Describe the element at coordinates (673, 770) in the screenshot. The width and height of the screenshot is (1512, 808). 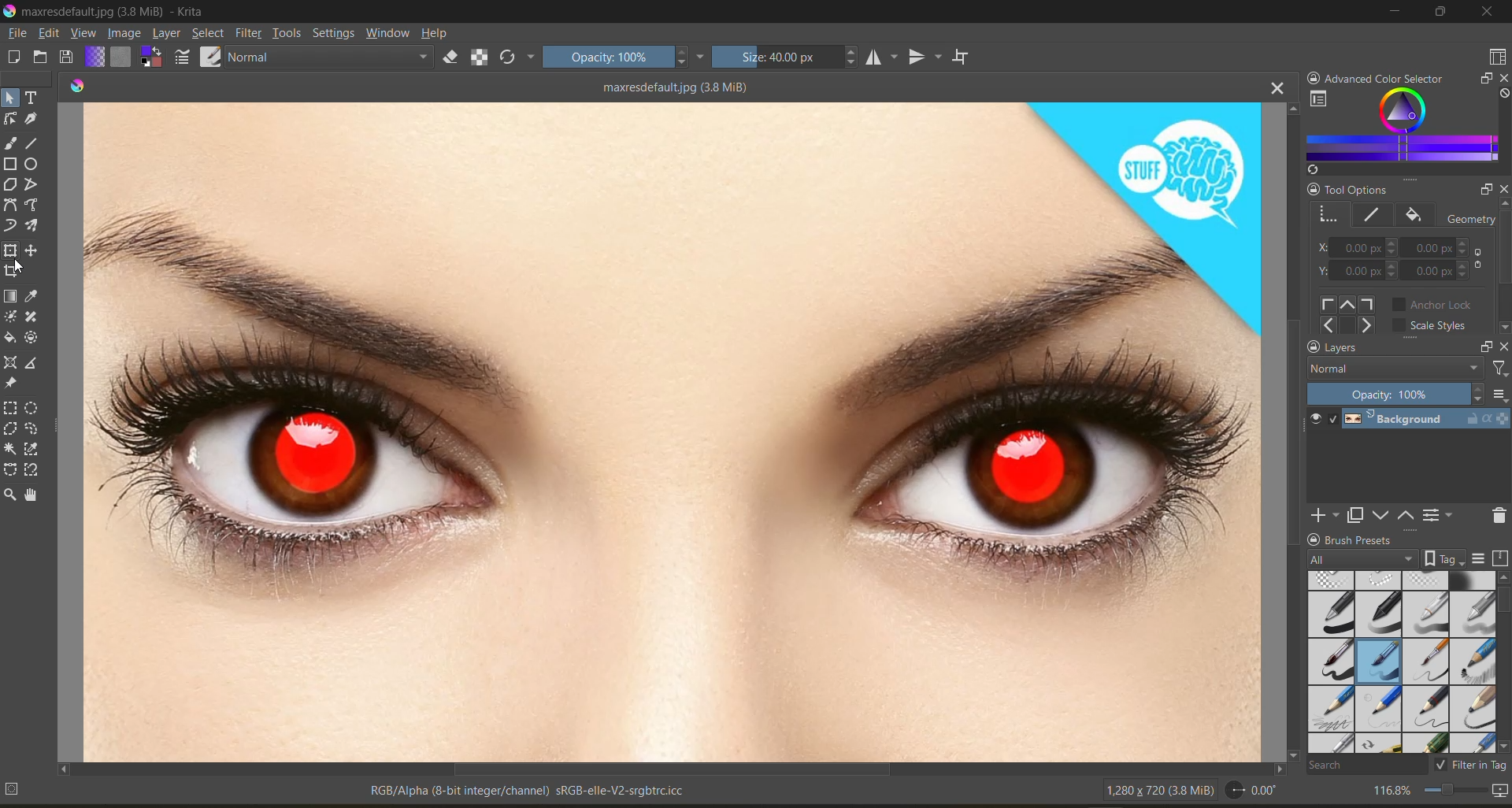
I see `horizontal scroll bar` at that location.